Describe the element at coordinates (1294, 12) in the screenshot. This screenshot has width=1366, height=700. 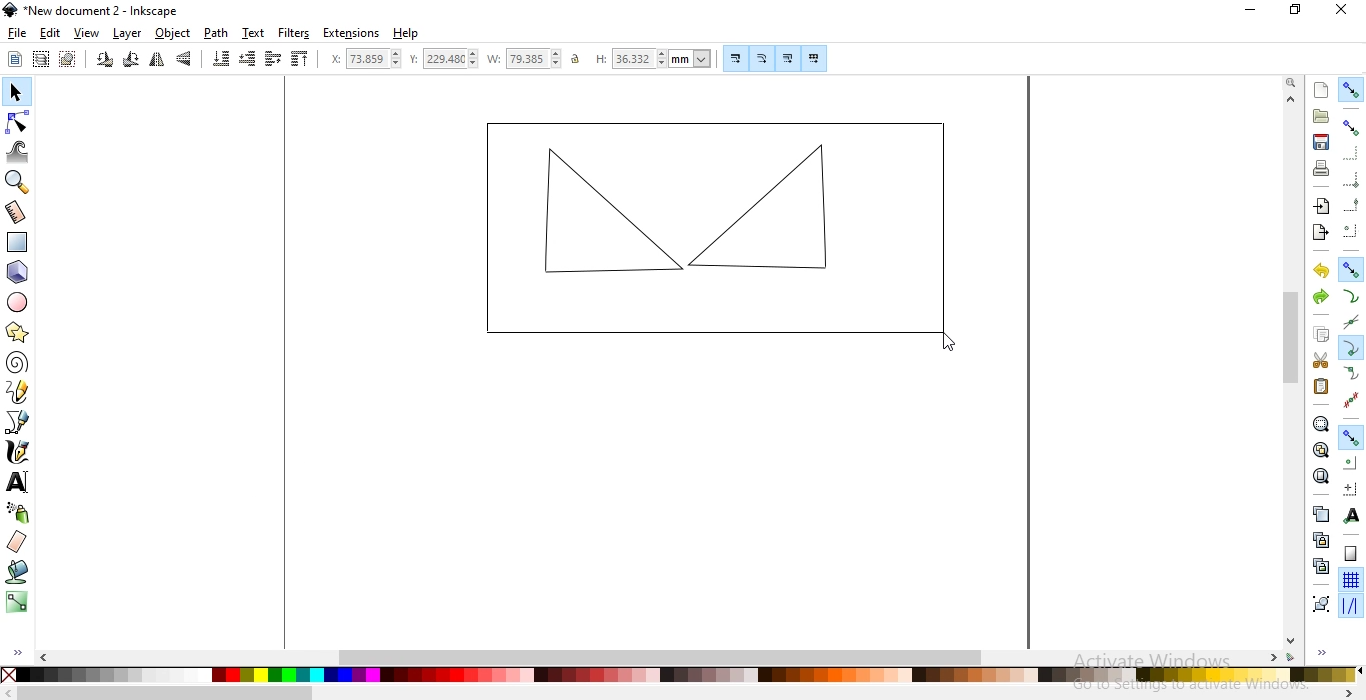
I see `maximize` at that location.